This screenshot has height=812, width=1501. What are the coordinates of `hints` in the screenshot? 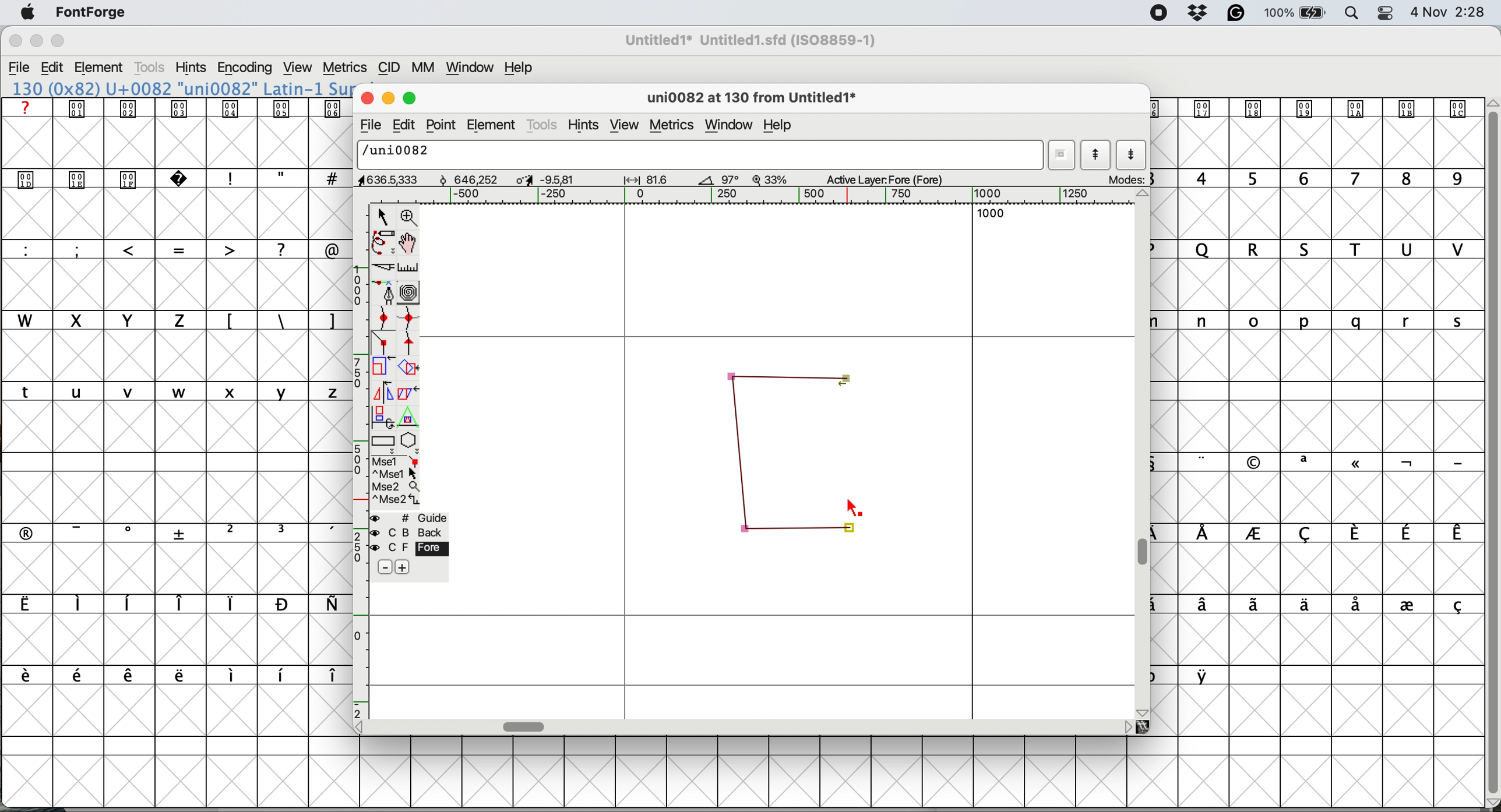 It's located at (191, 67).